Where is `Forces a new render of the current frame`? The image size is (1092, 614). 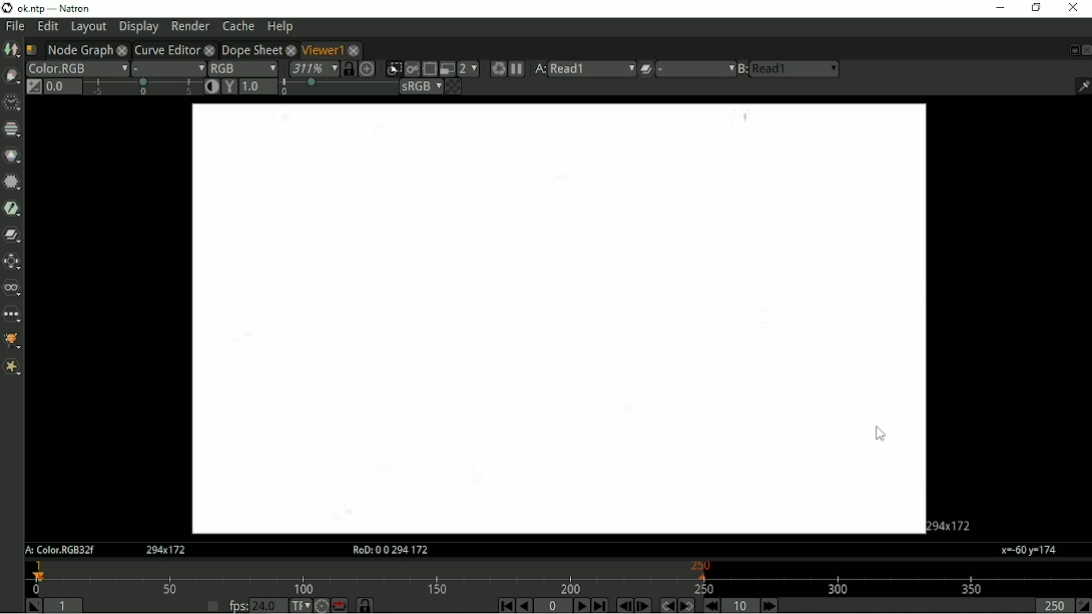
Forces a new render of the current frame is located at coordinates (496, 69).